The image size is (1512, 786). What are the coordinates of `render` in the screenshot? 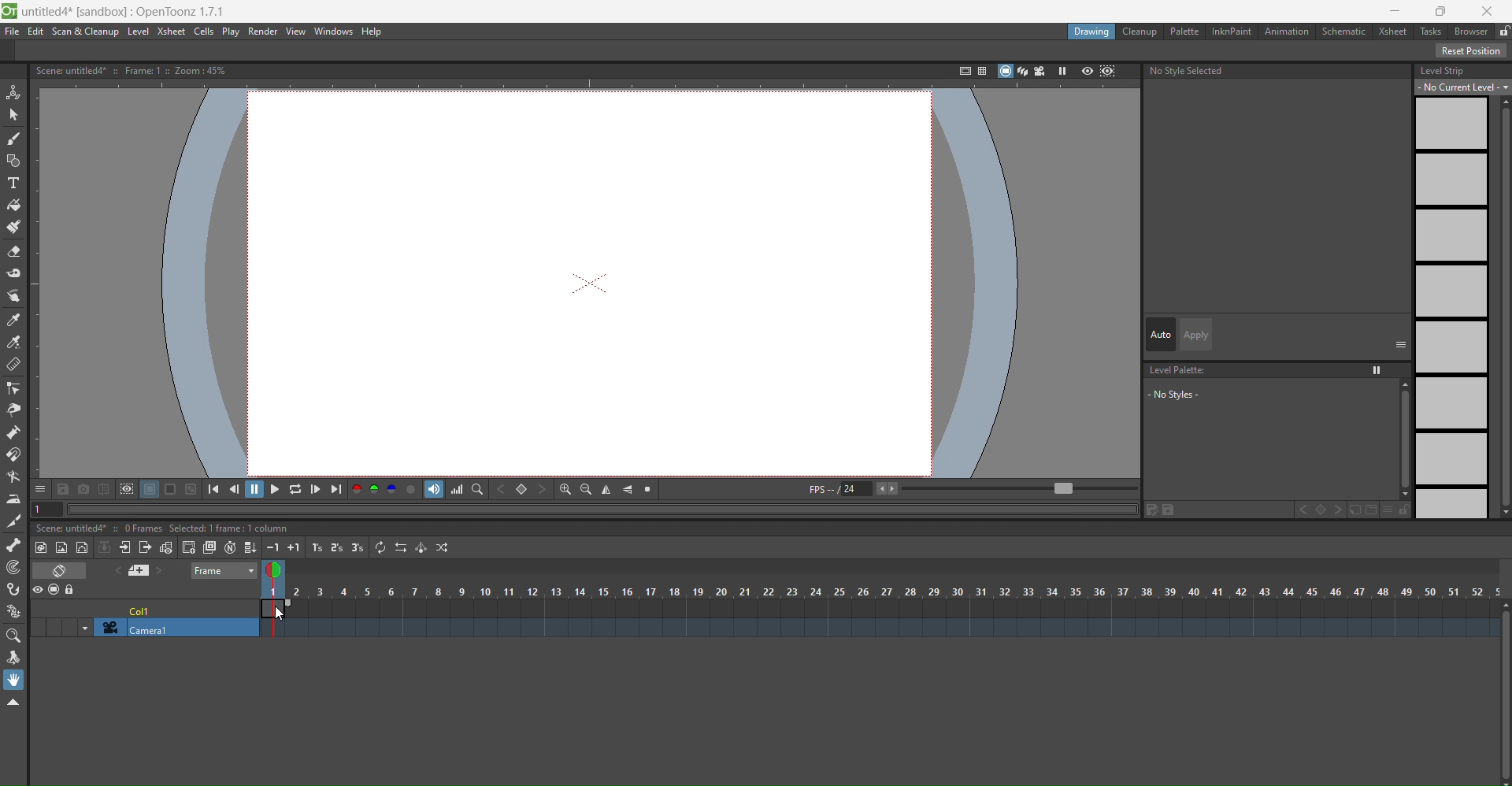 It's located at (265, 32).